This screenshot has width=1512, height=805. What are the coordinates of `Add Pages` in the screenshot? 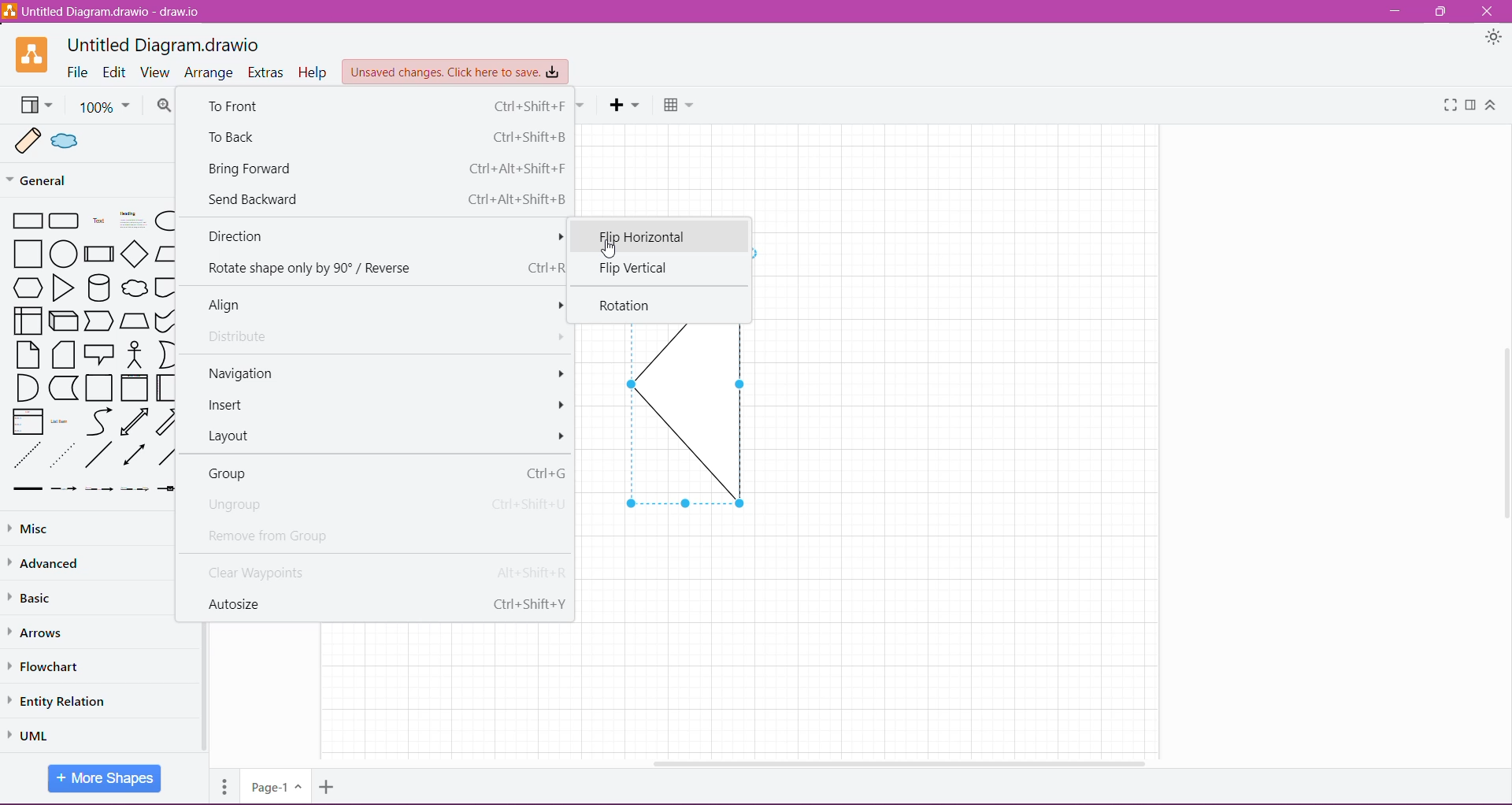 It's located at (327, 787).